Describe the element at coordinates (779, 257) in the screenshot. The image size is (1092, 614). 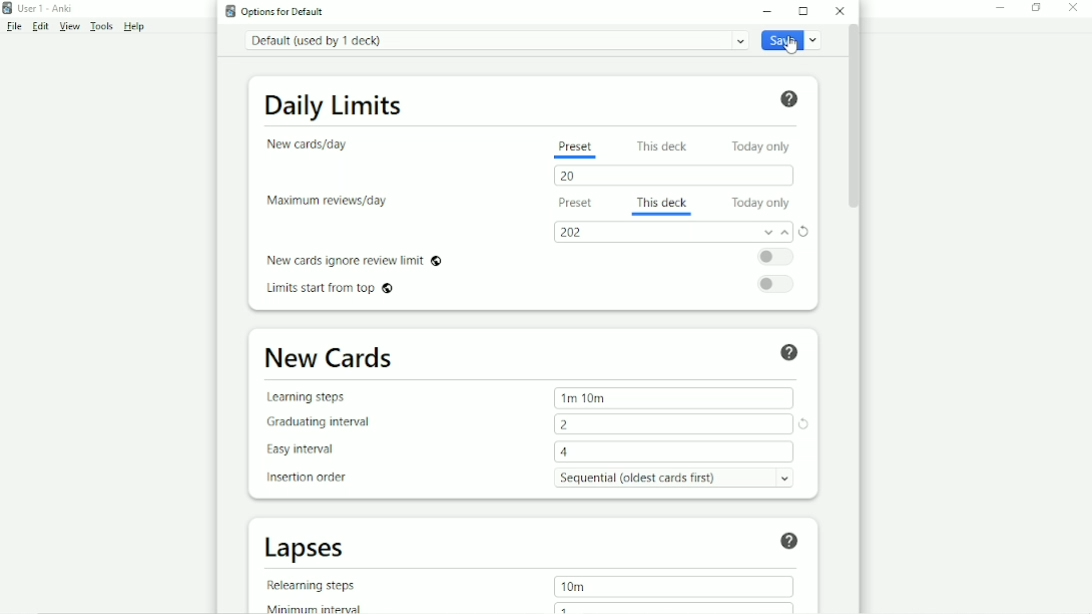
I see `Toggle on/off` at that location.